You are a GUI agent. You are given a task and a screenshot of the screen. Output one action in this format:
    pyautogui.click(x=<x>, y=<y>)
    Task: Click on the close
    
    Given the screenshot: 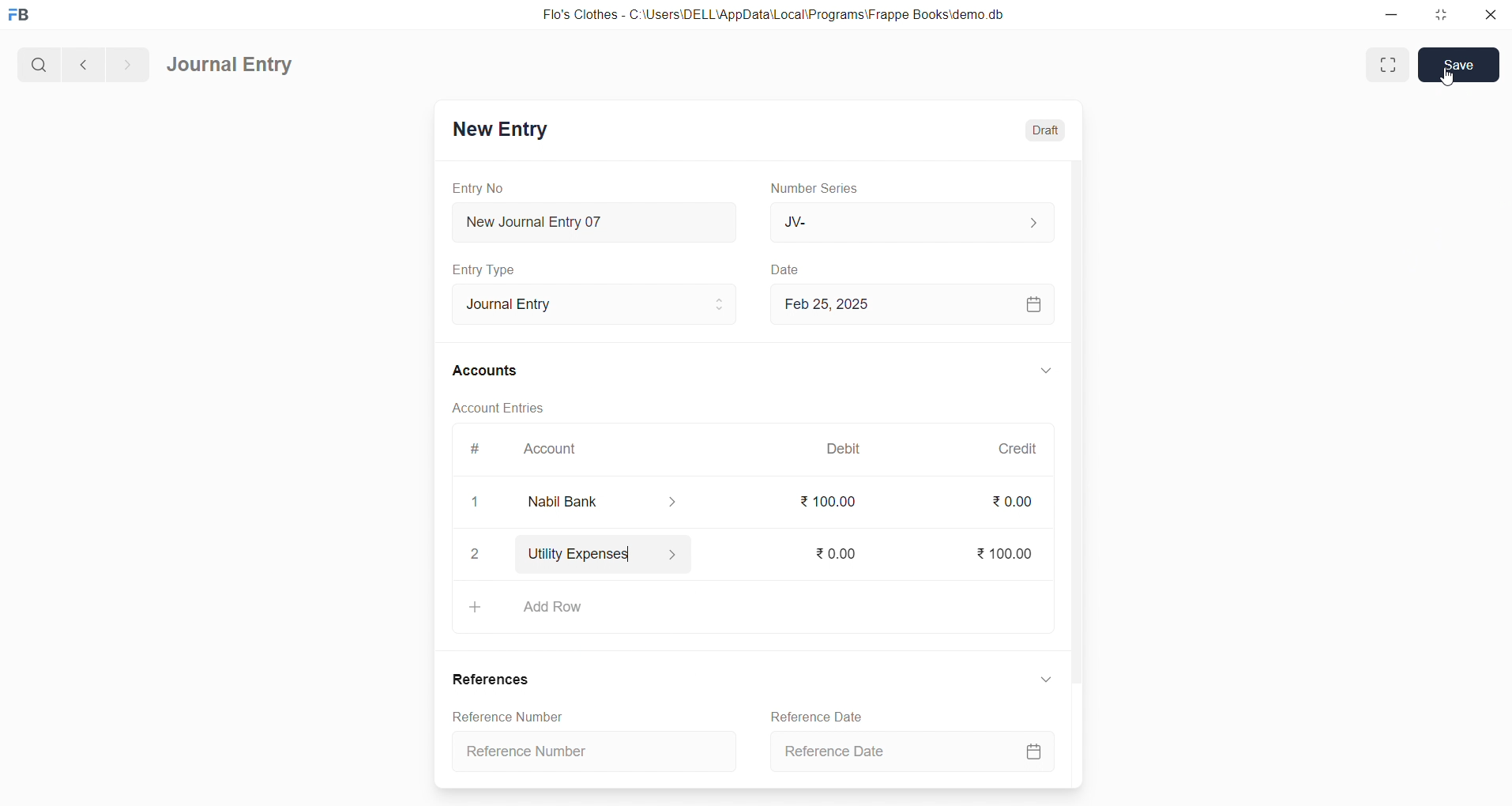 What is the action you would take?
    pyautogui.click(x=1487, y=16)
    